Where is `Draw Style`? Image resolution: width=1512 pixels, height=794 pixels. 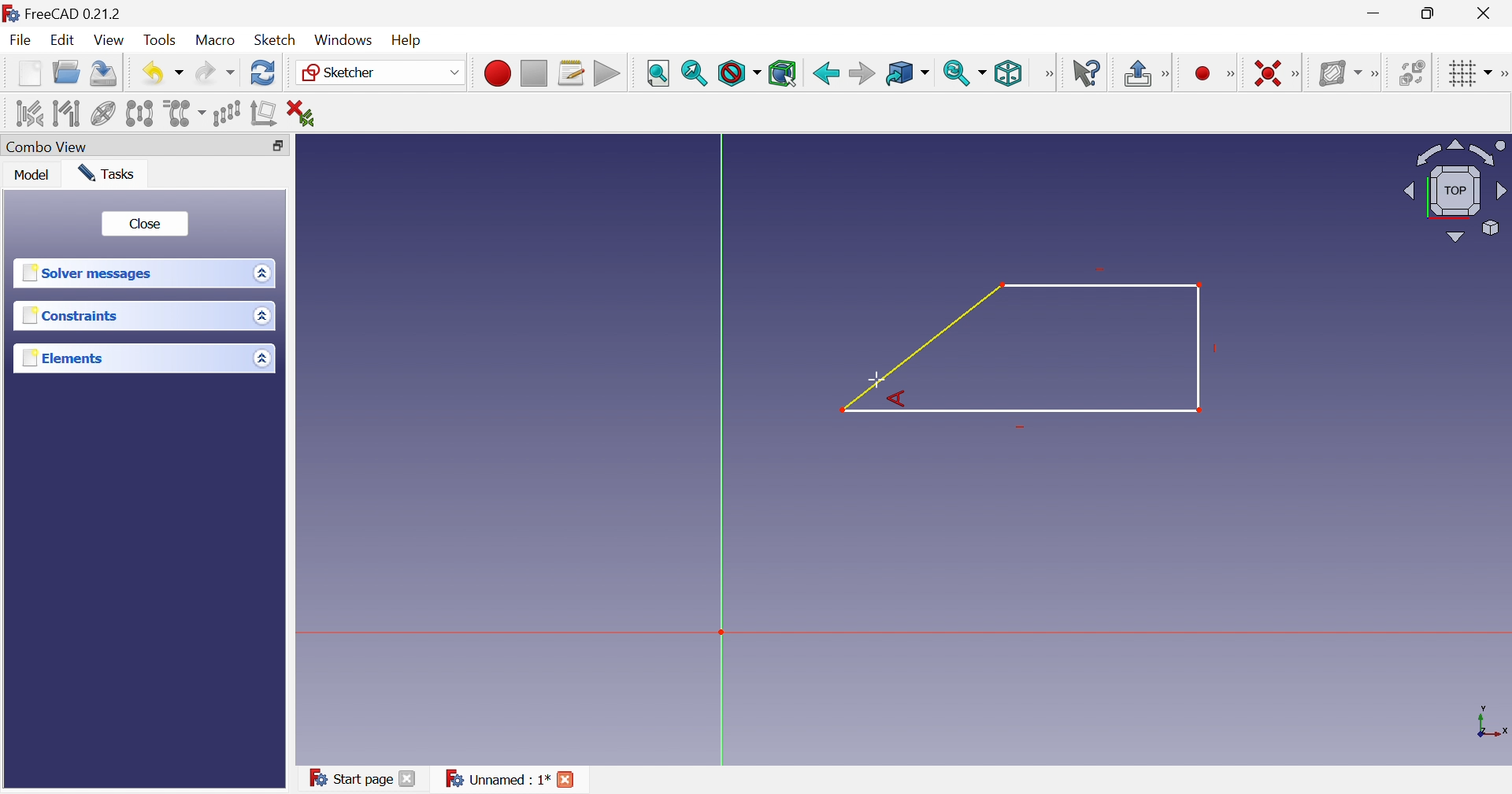
Draw Style is located at coordinates (738, 74).